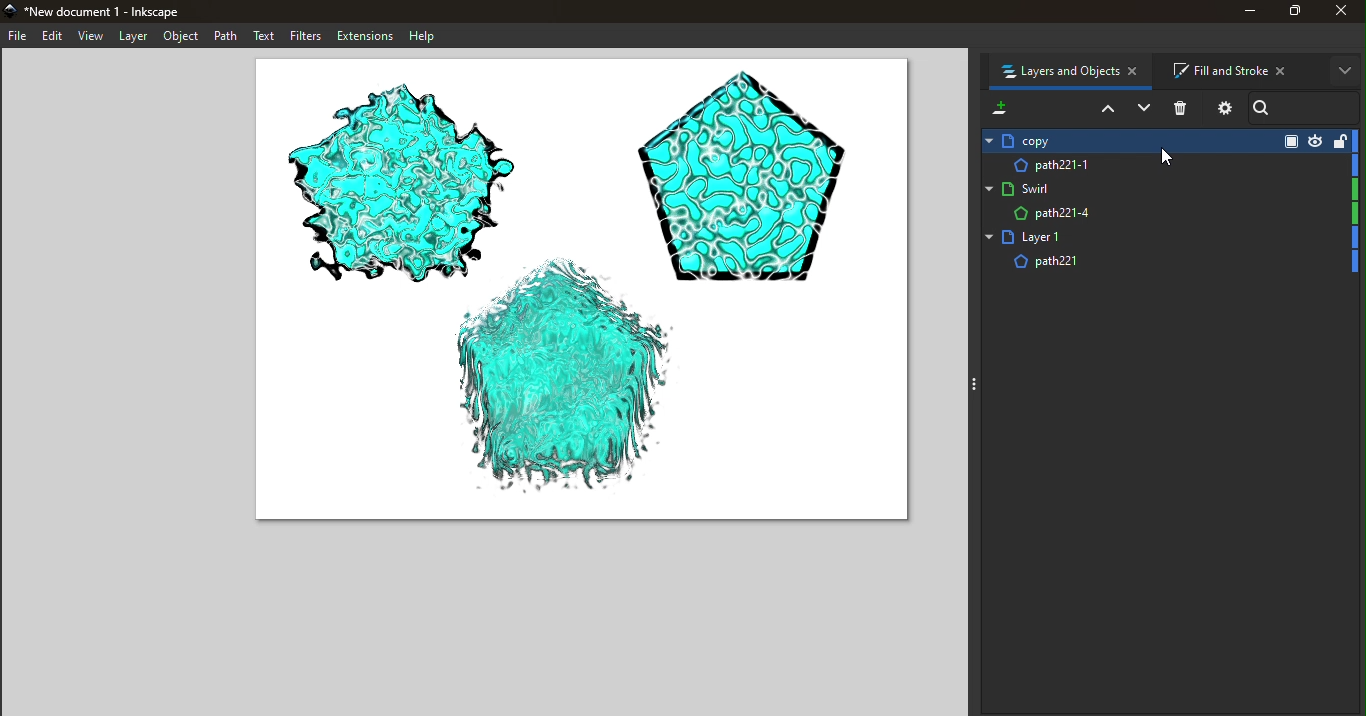 The height and width of the screenshot is (716, 1366). What do you see at coordinates (426, 36) in the screenshot?
I see `Help` at bounding box center [426, 36].